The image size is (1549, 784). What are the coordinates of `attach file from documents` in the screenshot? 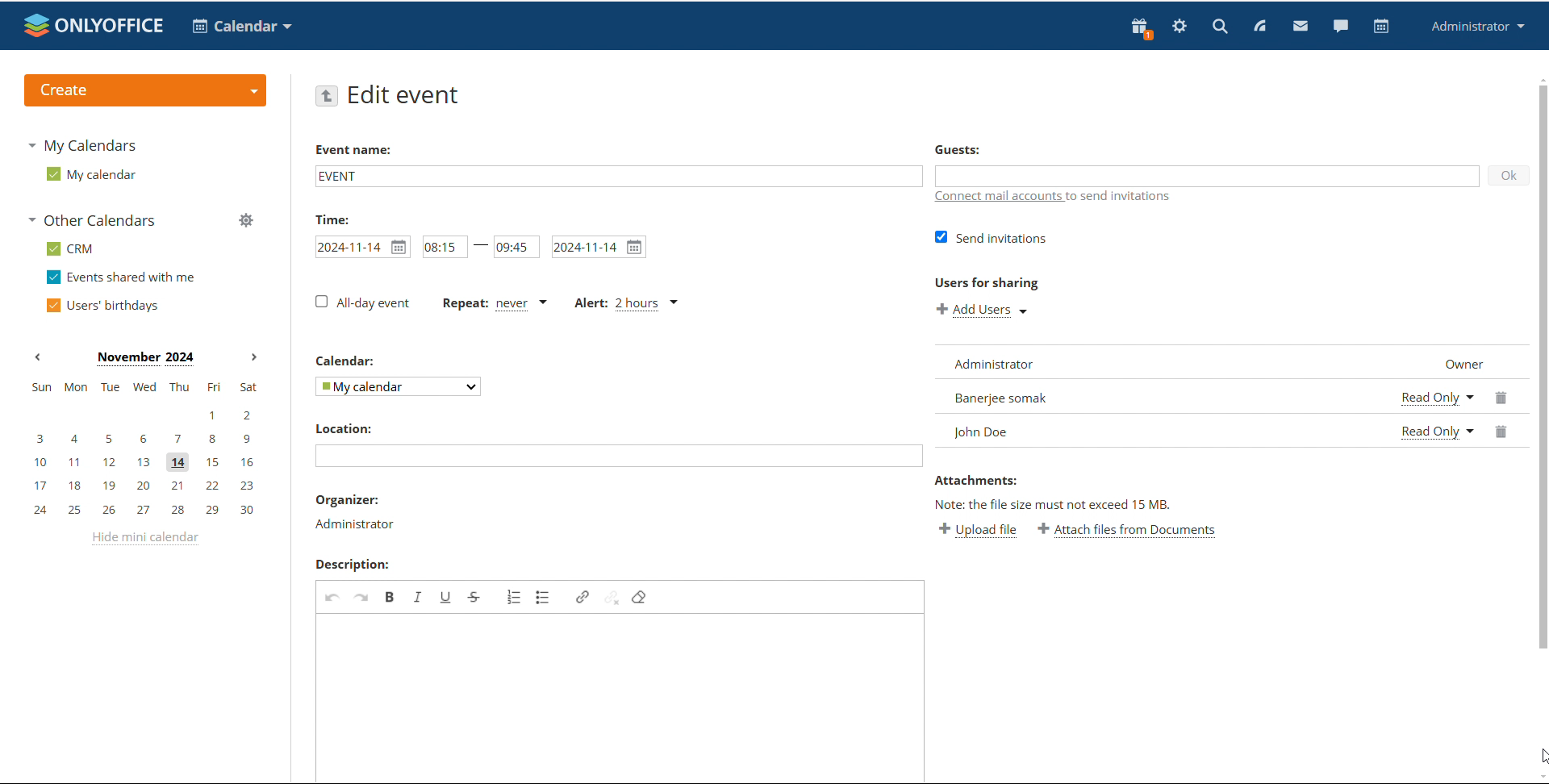 It's located at (1129, 532).